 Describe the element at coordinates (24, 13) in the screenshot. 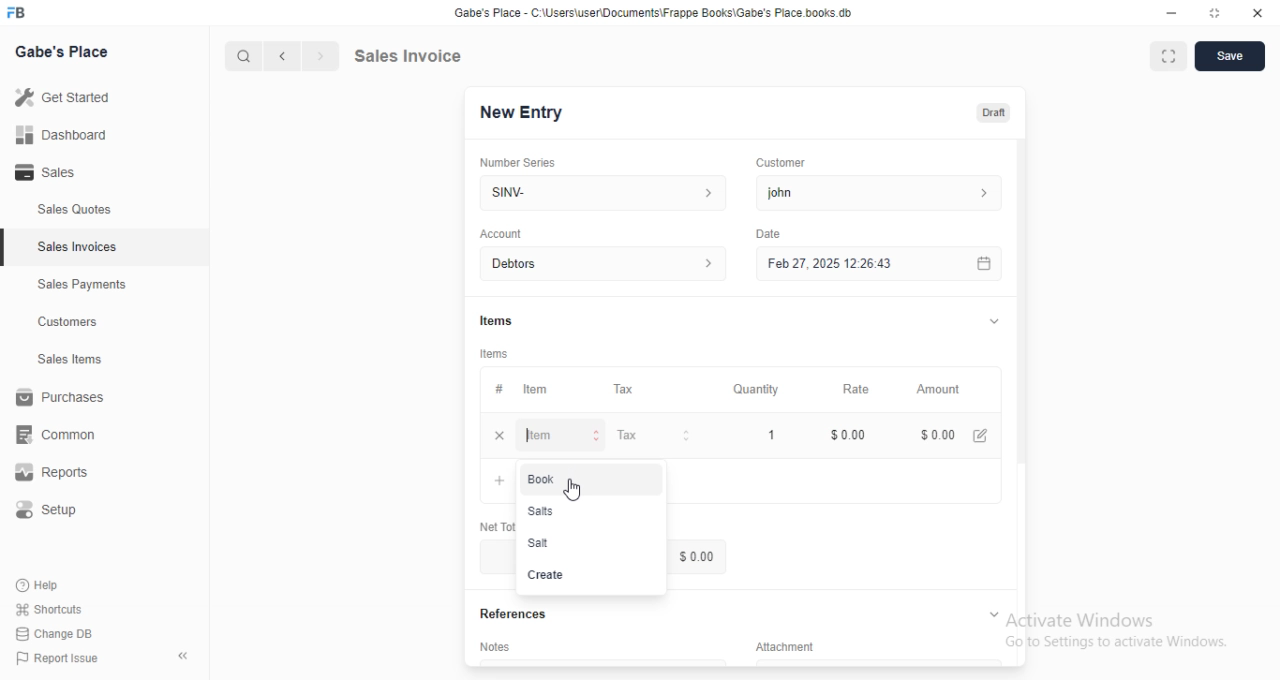

I see `Logo` at that location.